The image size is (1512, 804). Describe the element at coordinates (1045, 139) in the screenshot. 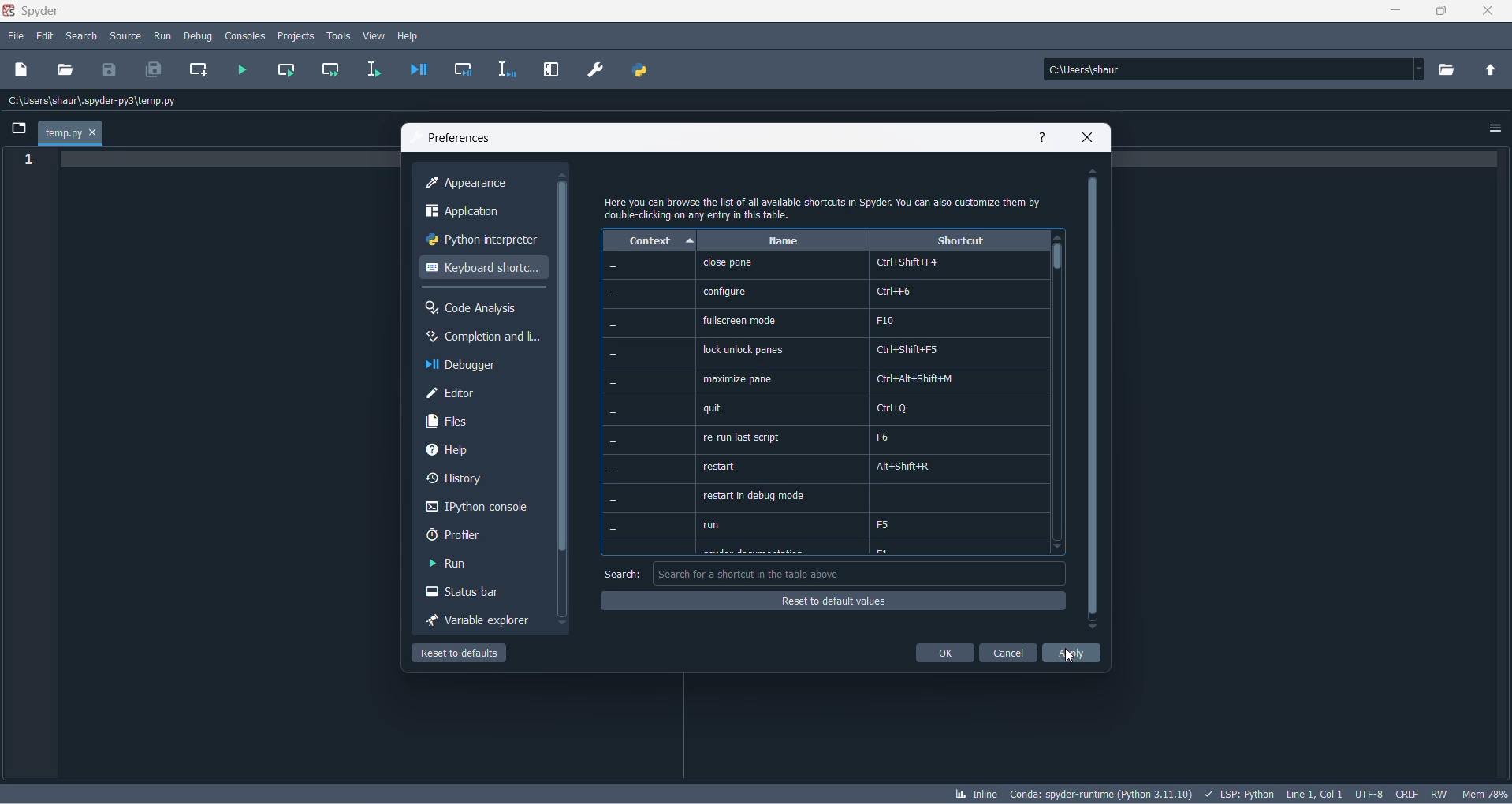

I see `help` at that location.